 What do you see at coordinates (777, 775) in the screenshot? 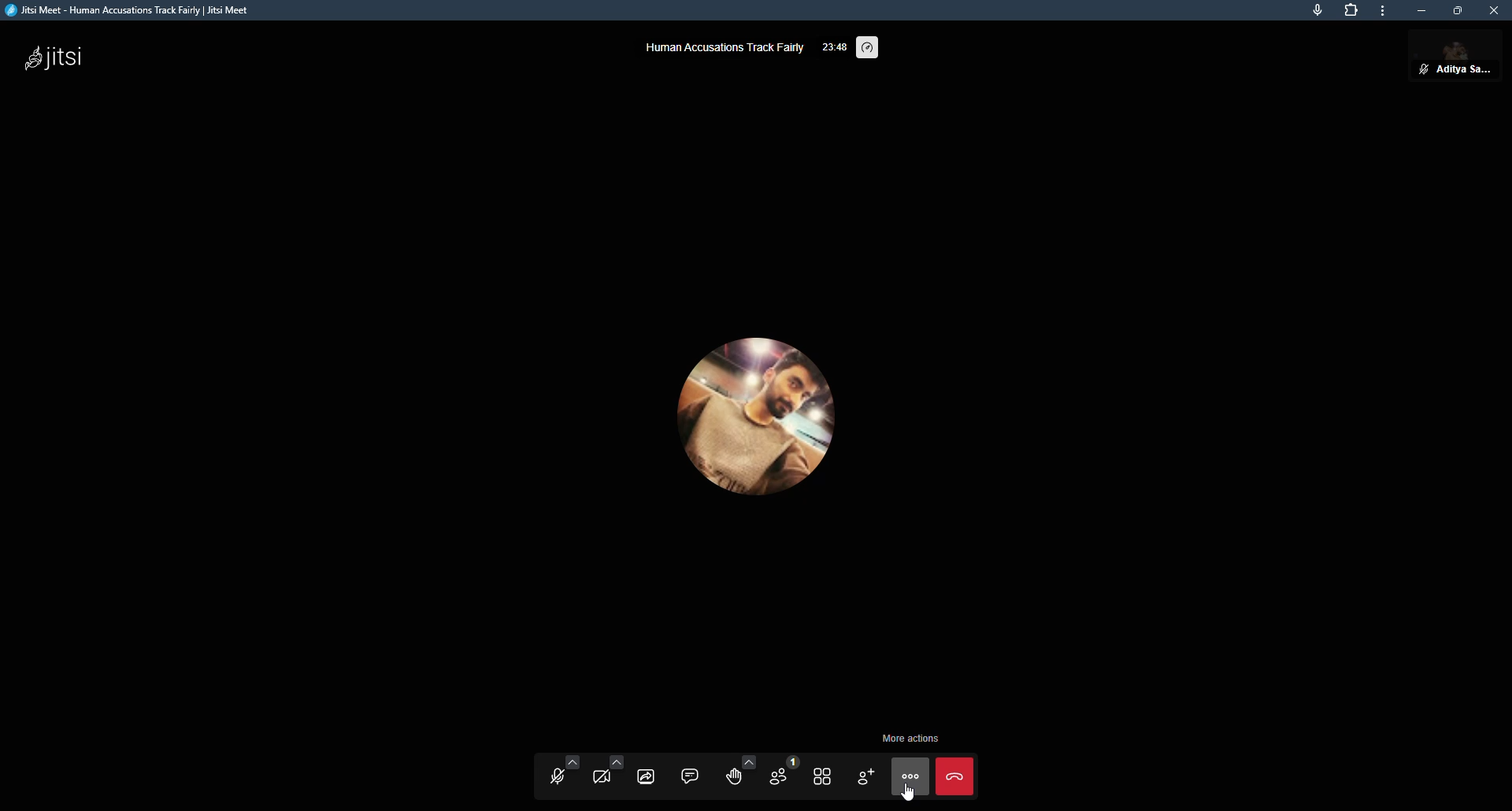
I see `participants` at bounding box center [777, 775].